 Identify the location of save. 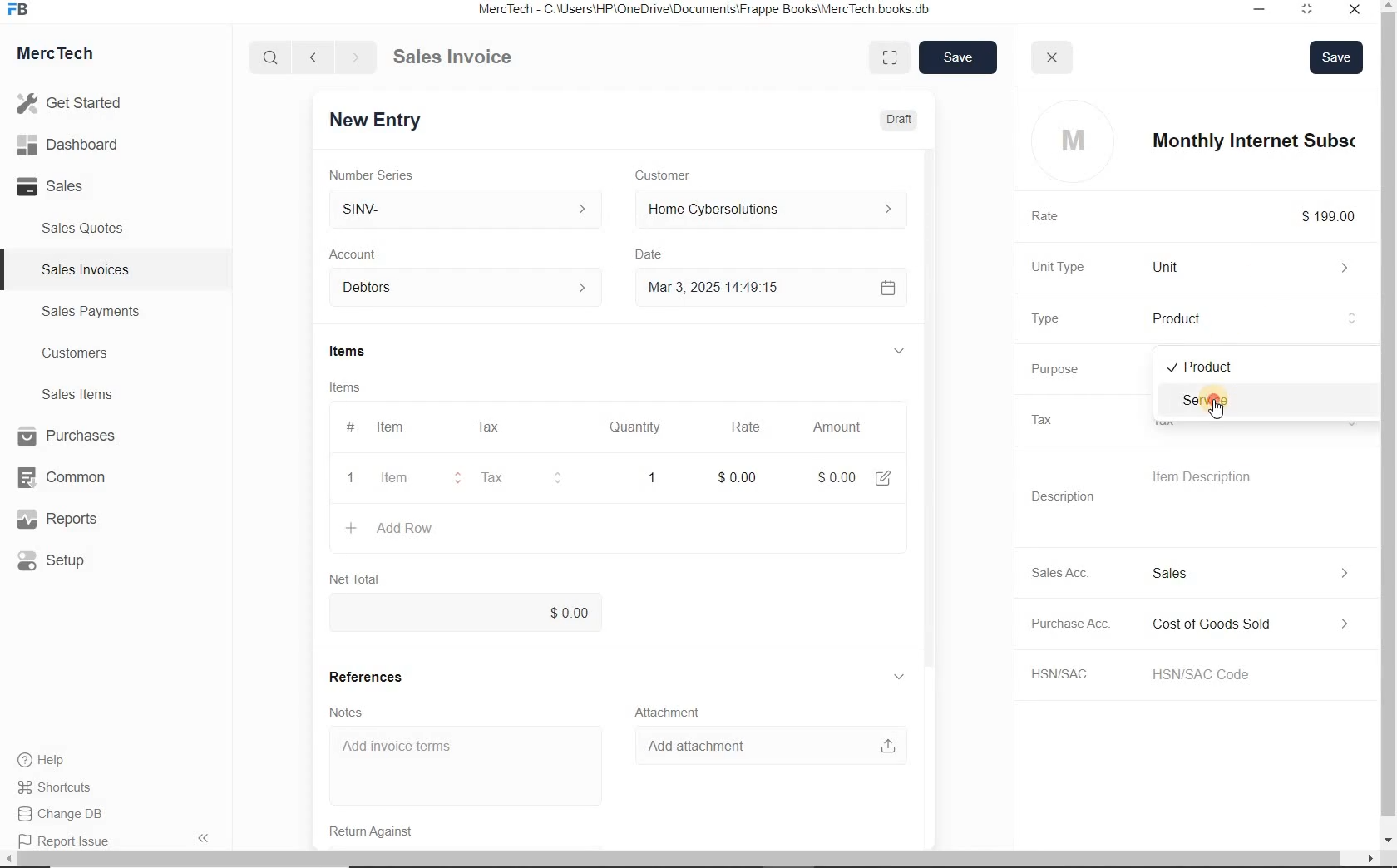
(955, 57).